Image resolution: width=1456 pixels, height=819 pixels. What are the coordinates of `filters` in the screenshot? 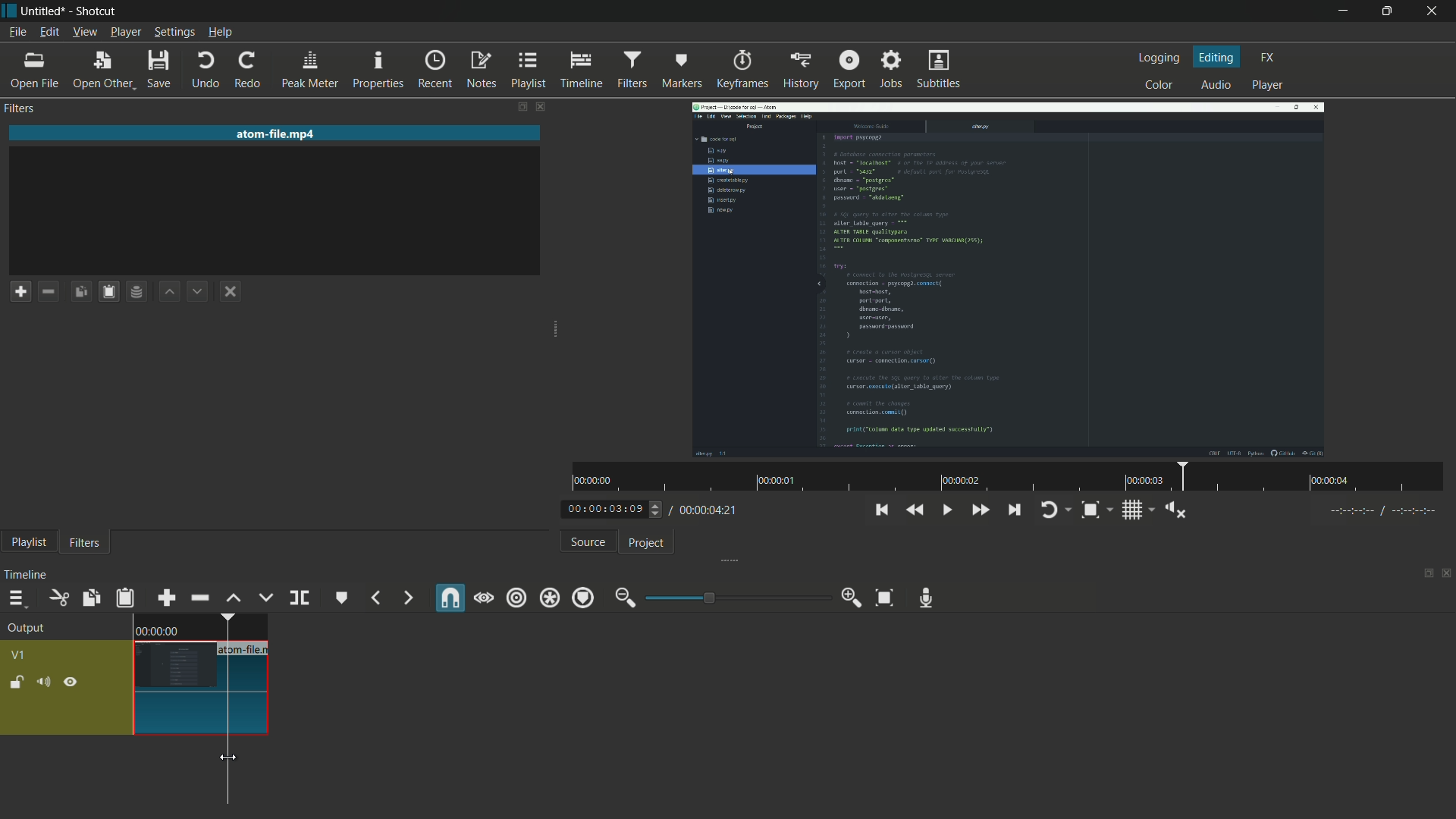 It's located at (85, 544).